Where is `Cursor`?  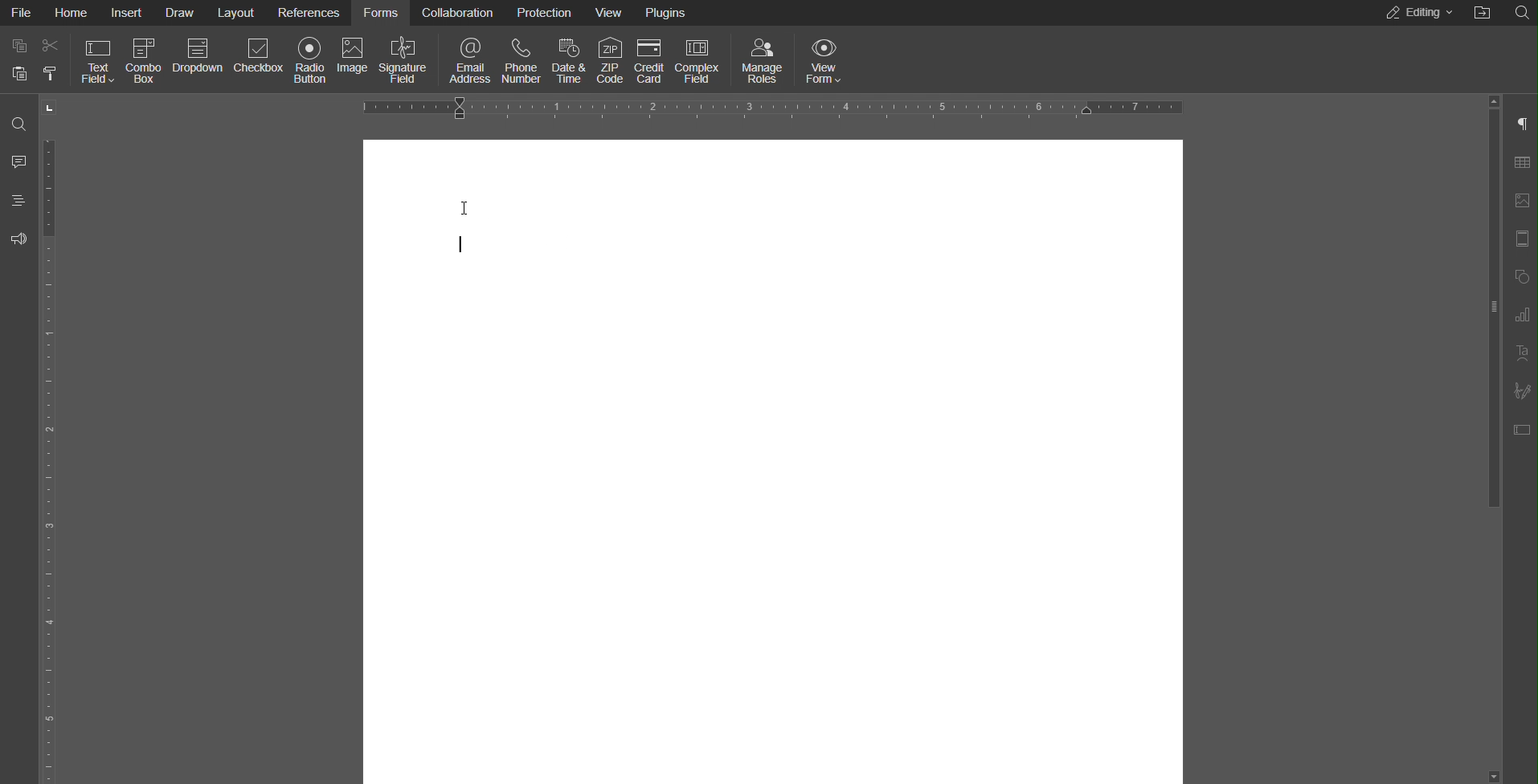 Cursor is located at coordinates (460, 225).